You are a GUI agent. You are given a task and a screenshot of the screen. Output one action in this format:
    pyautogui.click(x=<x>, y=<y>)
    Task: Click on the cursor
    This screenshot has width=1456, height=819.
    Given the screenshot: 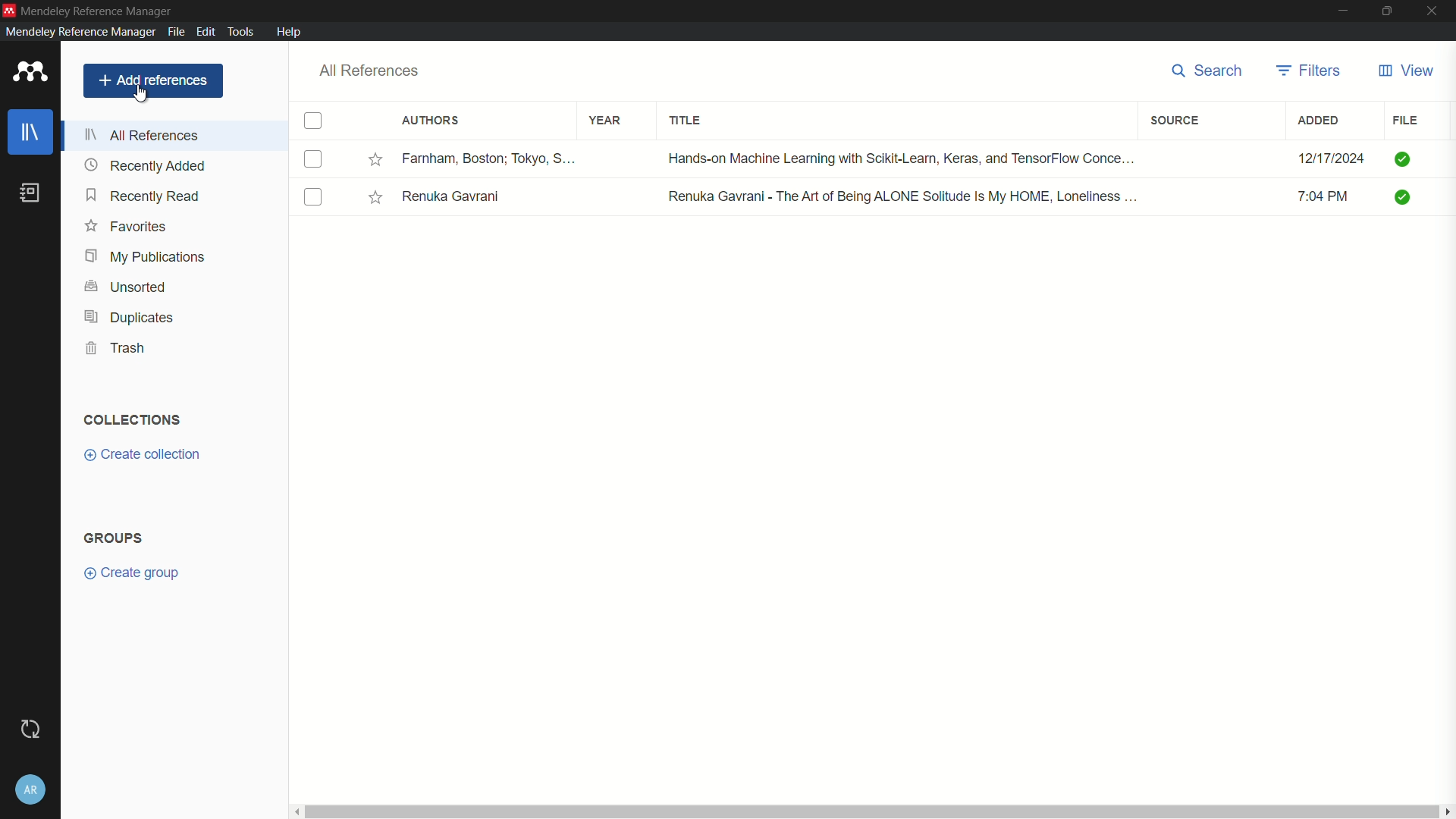 What is the action you would take?
    pyautogui.click(x=142, y=96)
    